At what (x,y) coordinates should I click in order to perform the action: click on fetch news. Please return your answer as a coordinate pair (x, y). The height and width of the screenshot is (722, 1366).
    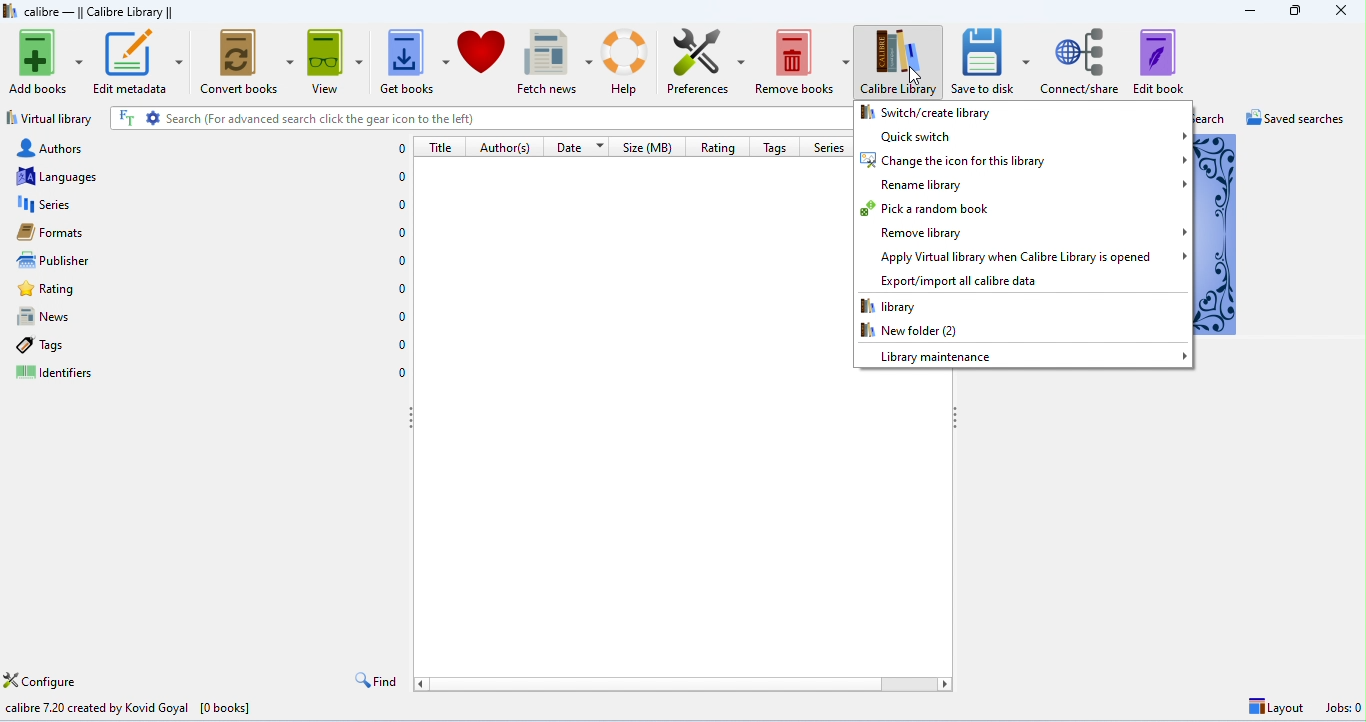
    Looking at the image, I should click on (555, 60).